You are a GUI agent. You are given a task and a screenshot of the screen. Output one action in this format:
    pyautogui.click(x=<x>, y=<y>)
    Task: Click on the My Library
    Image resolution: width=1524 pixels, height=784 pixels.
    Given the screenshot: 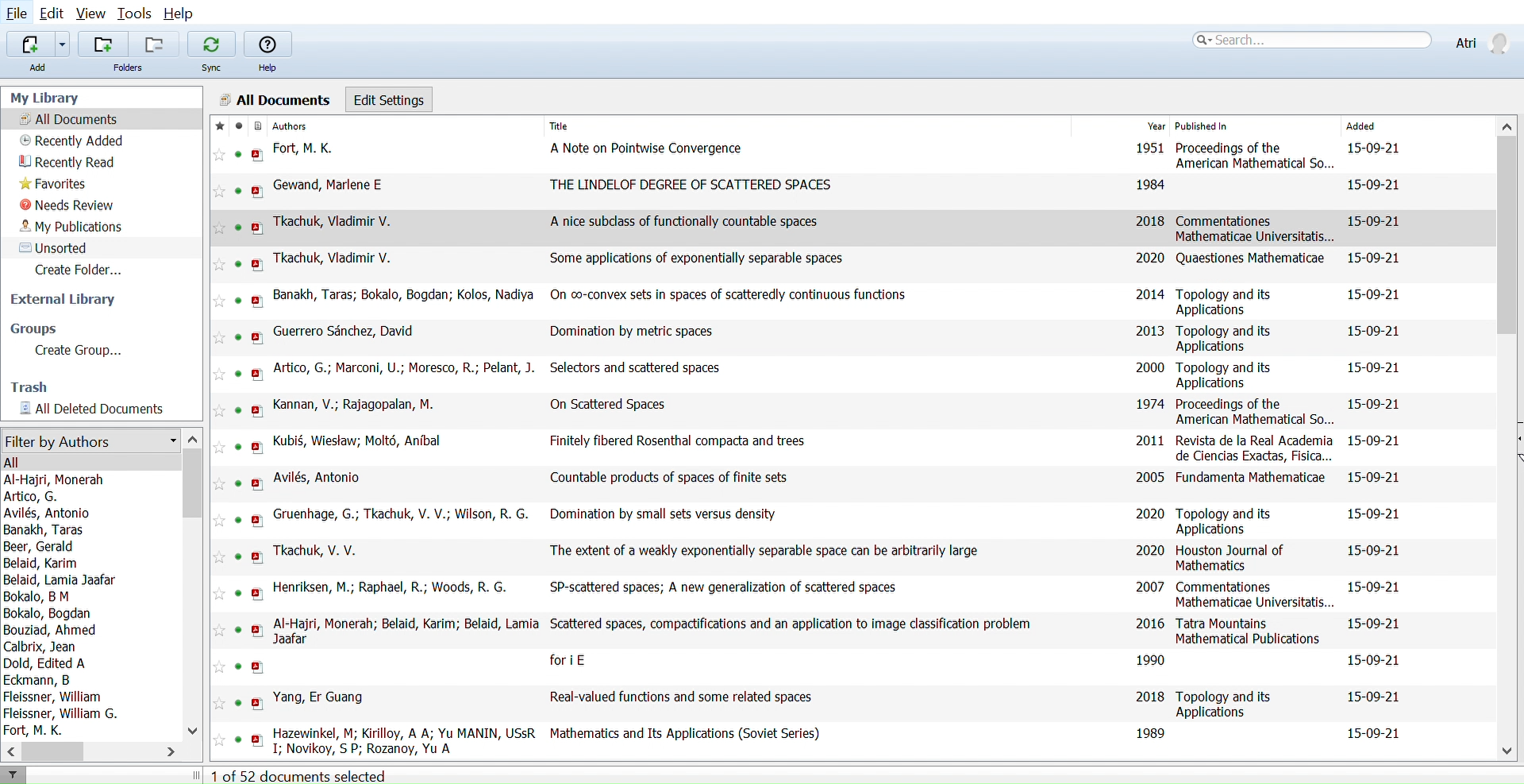 What is the action you would take?
    pyautogui.click(x=45, y=97)
    